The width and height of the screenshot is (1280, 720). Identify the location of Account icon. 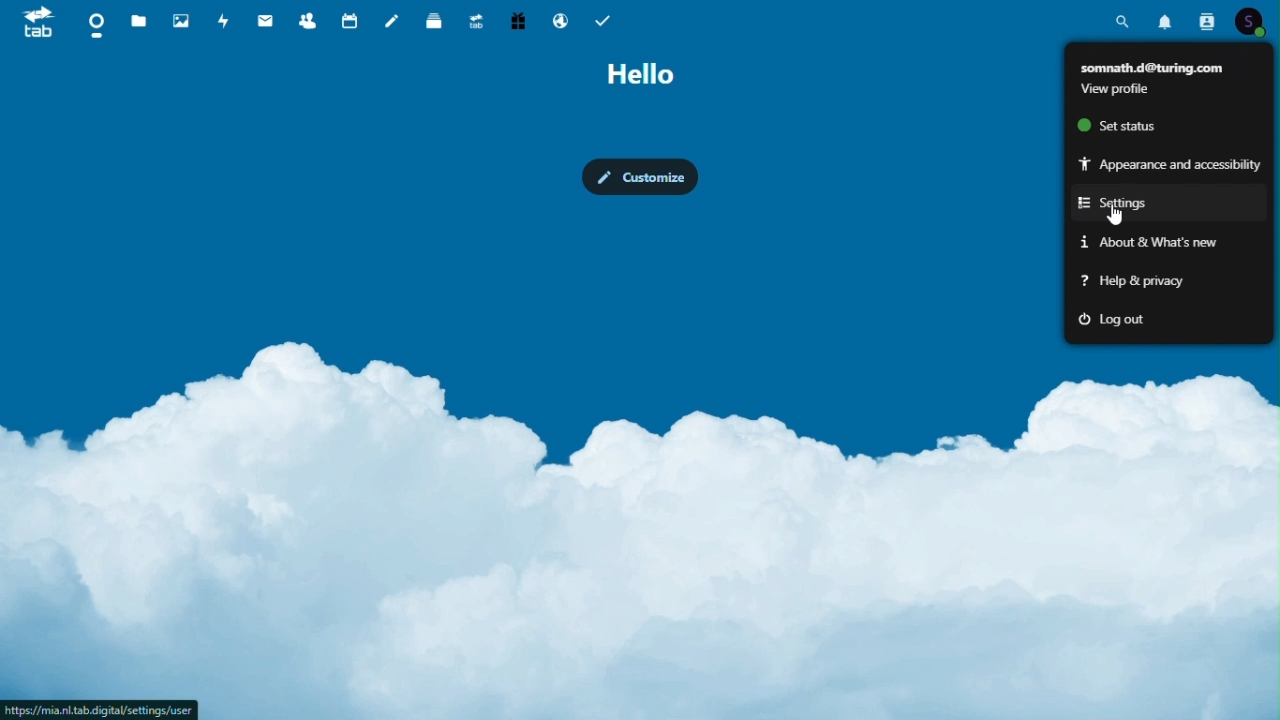
(1252, 20).